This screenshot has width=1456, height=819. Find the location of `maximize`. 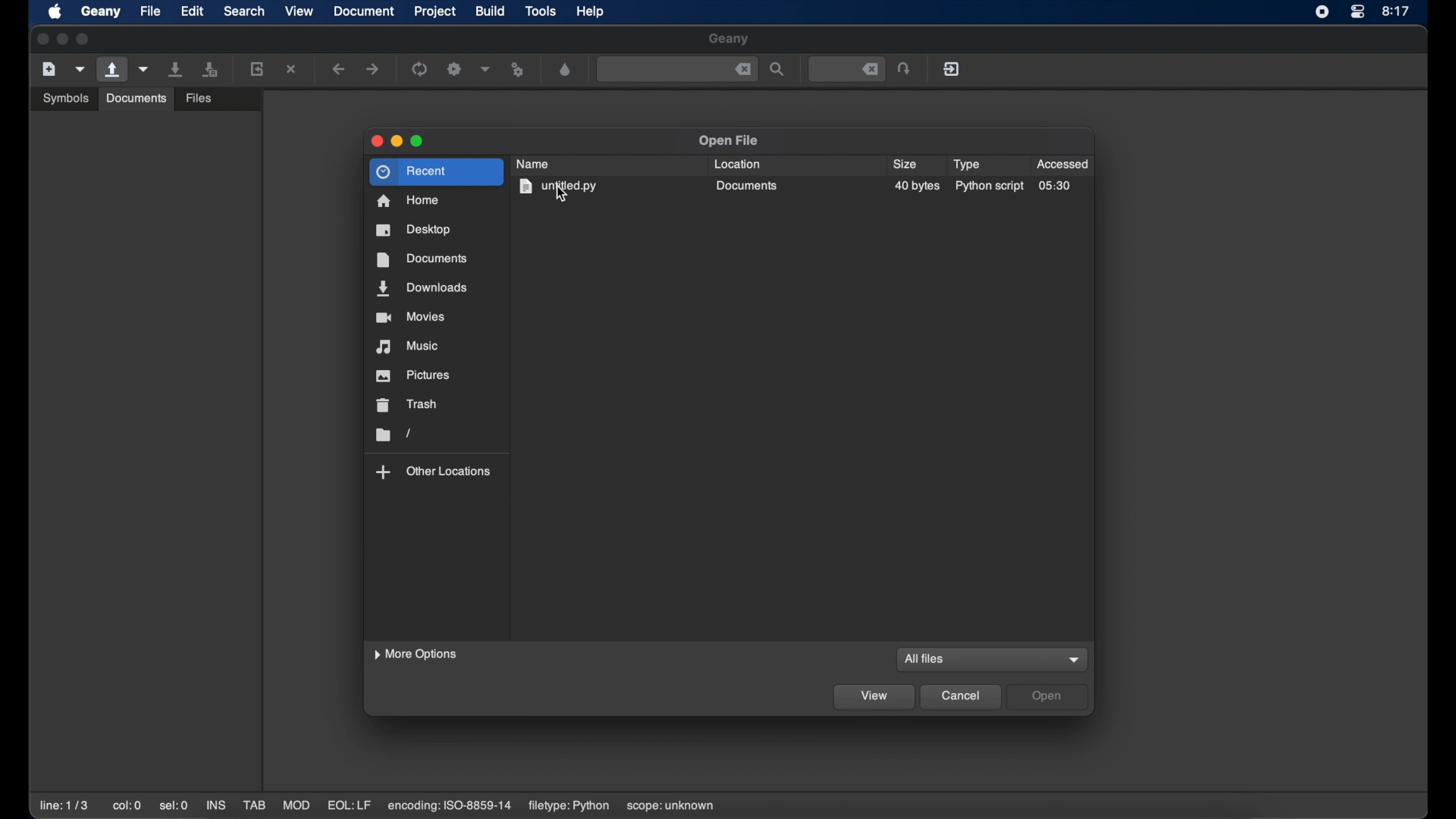

maximize is located at coordinates (418, 141).